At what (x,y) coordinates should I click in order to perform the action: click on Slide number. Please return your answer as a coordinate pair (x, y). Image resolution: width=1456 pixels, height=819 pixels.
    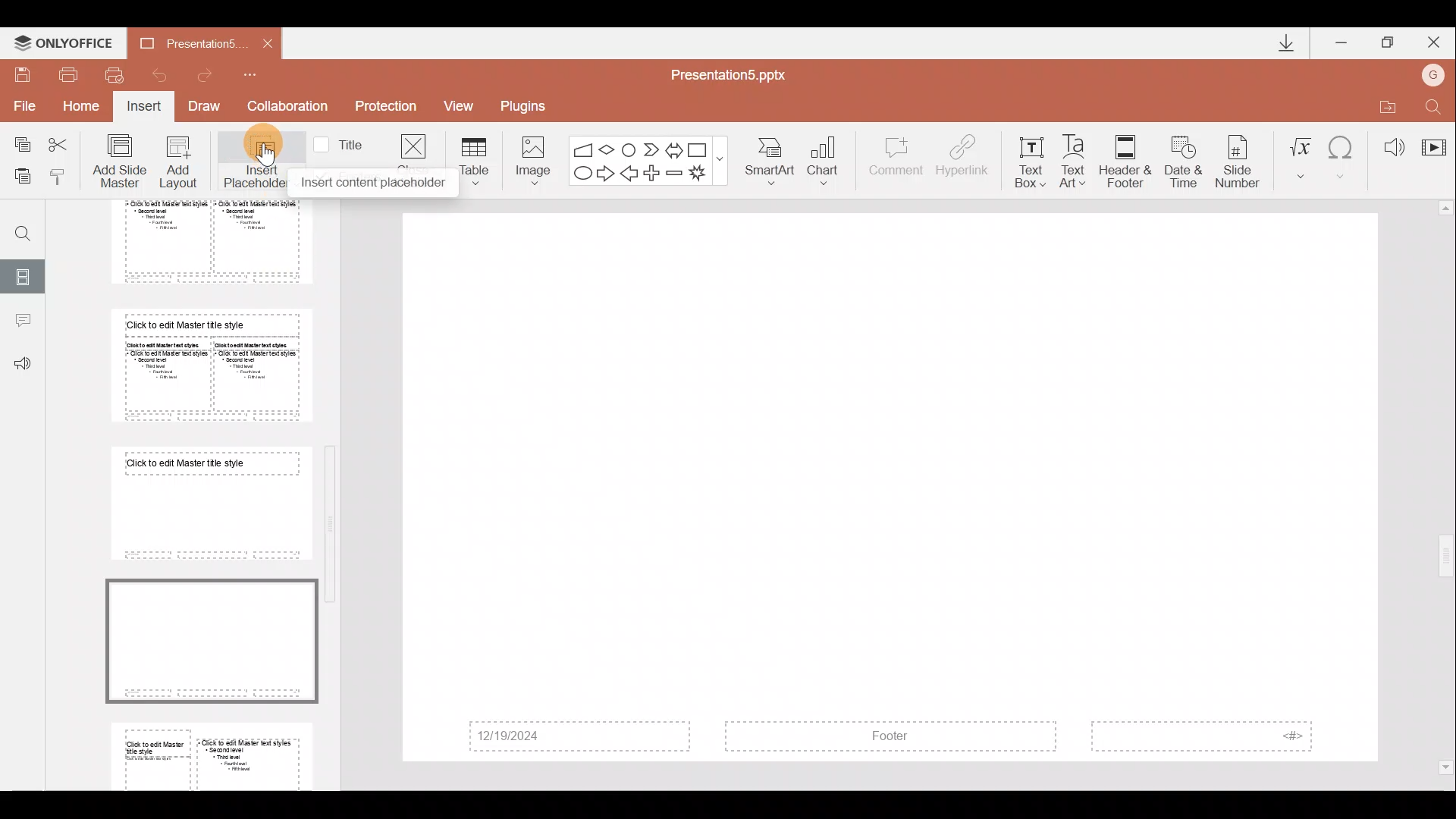
    Looking at the image, I should click on (1241, 158).